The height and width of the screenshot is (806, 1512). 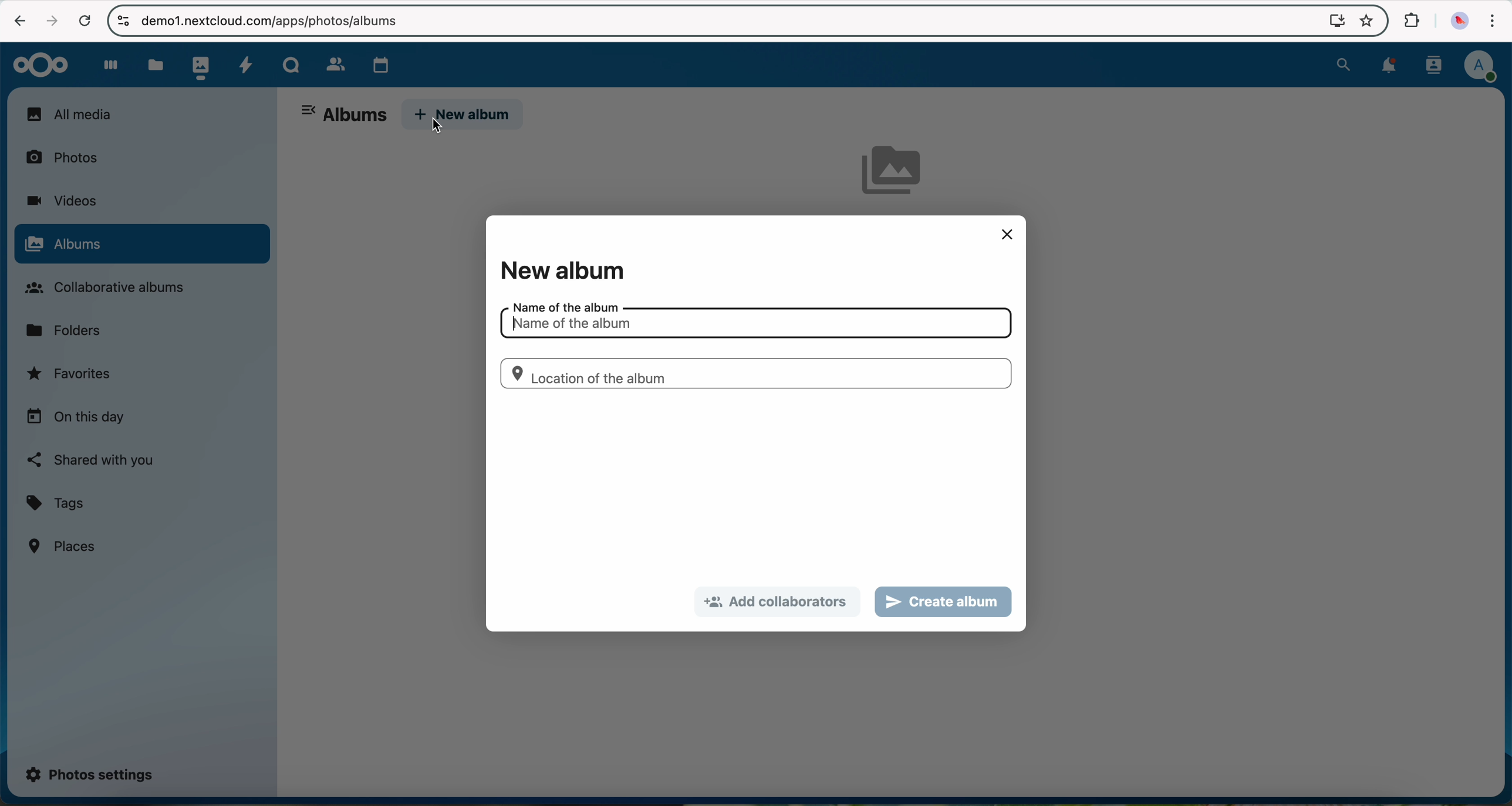 What do you see at coordinates (291, 63) in the screenshot?
I see `Talk` at bounding box center [291, 63].